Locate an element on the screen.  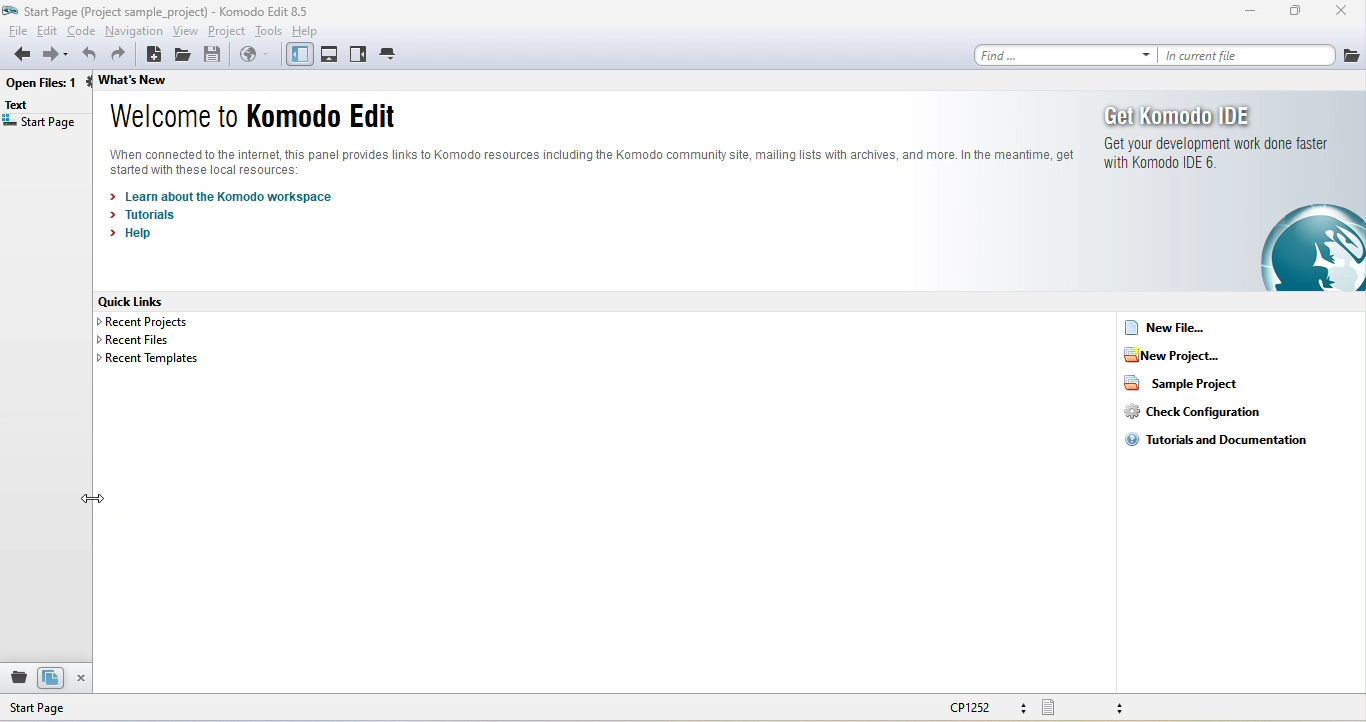
edit is located at coordinates (48, 30).